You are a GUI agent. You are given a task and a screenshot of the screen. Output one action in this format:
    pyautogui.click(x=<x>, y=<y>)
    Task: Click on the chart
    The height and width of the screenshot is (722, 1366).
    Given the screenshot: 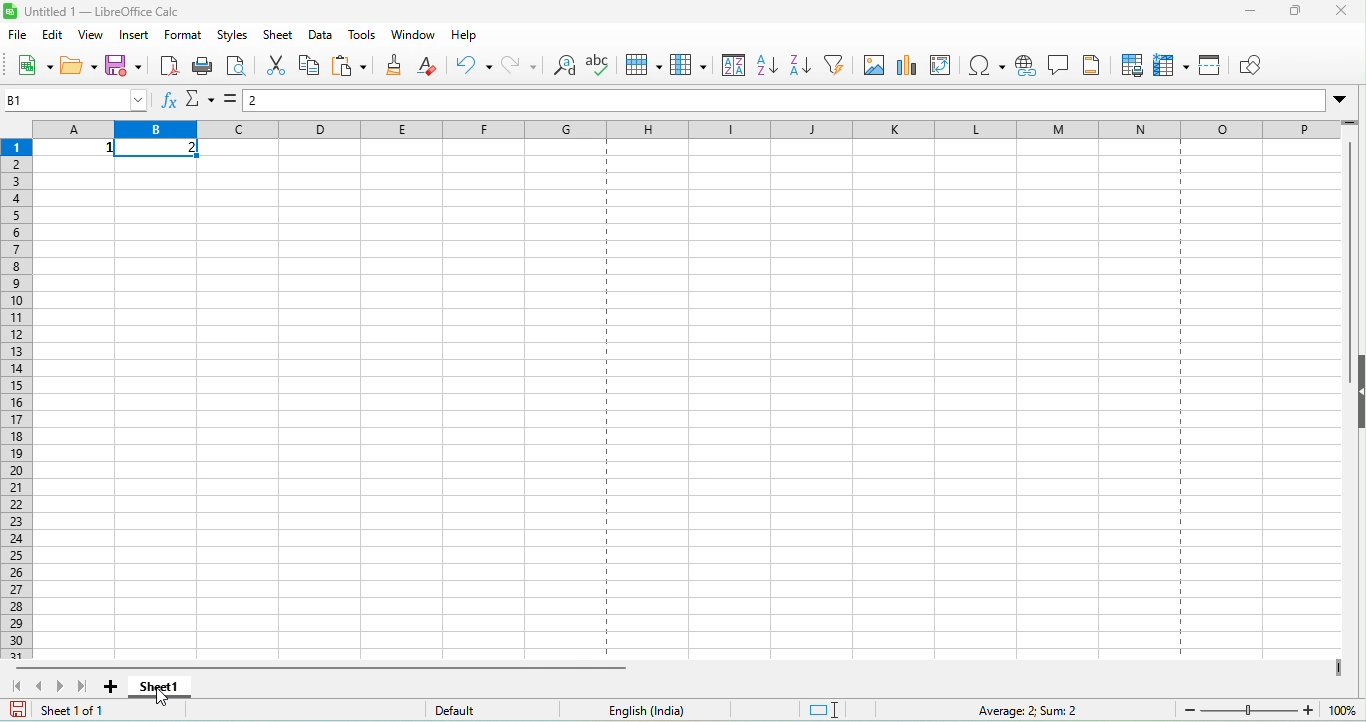 What is the action you would take?
    pyautogui.click(x=908, y=68)
    